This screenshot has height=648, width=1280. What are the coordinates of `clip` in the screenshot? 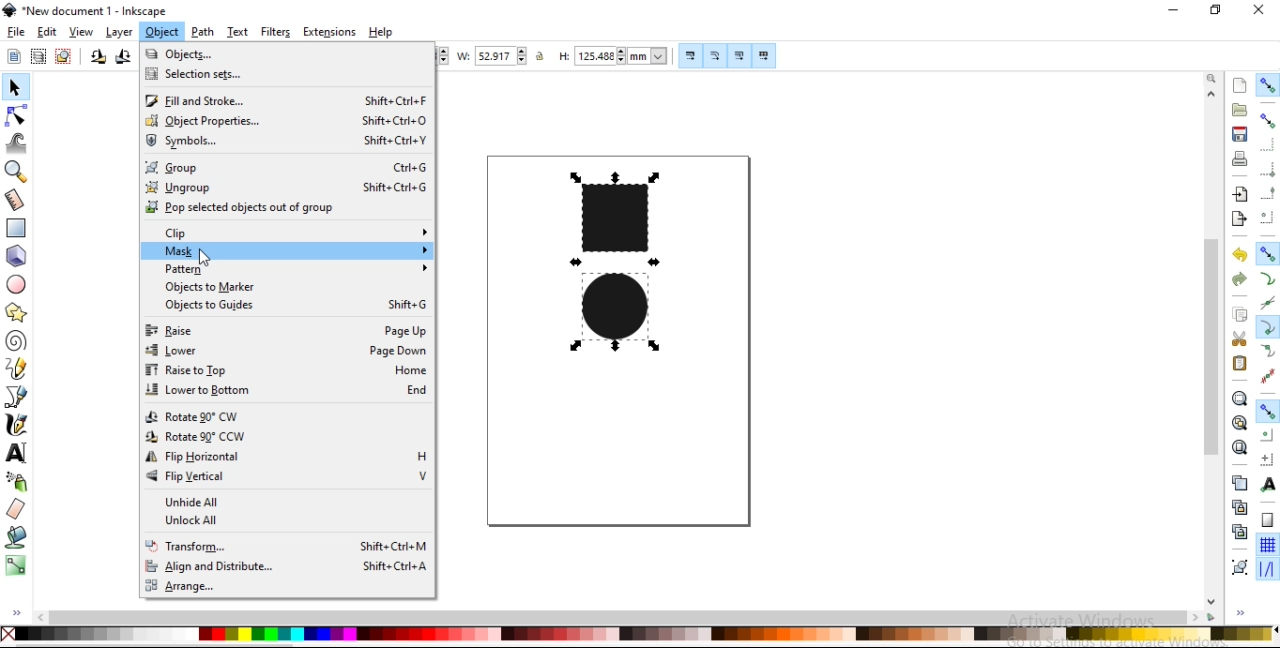 It's located at (292, 233).